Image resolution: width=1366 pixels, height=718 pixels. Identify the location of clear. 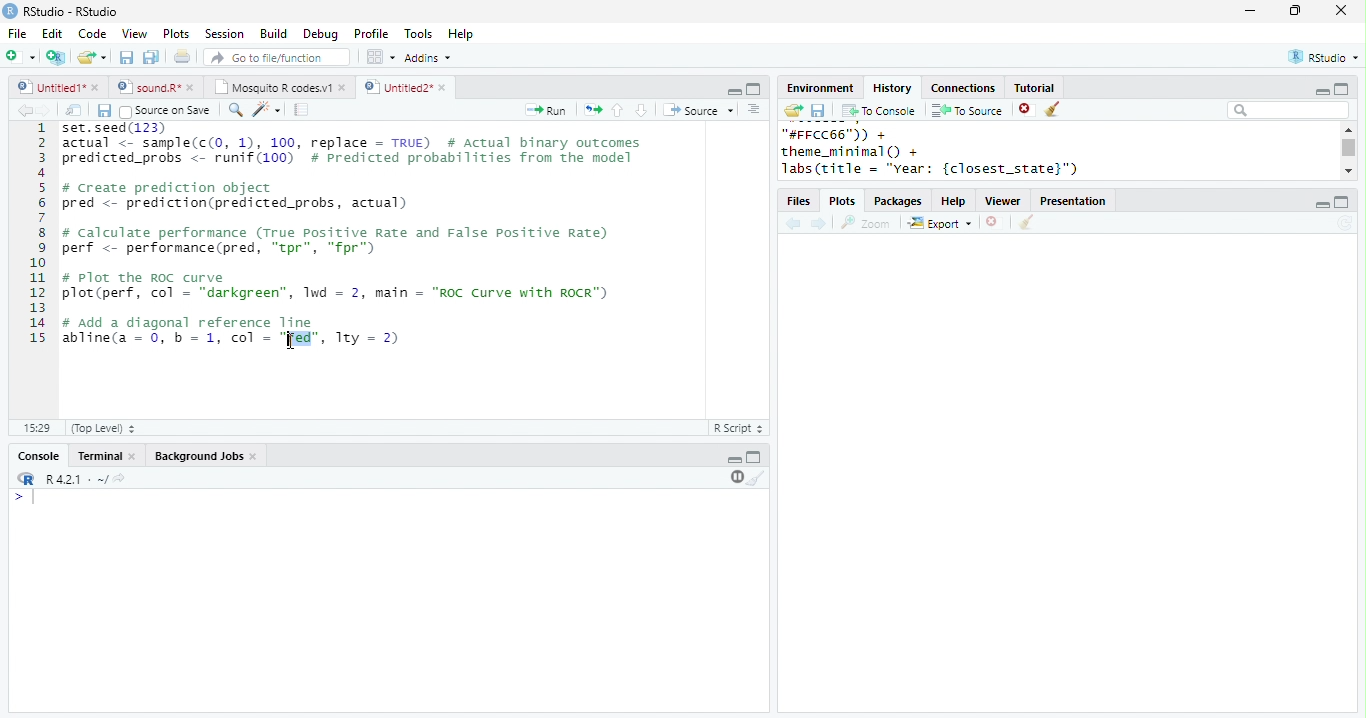
(757, 477).